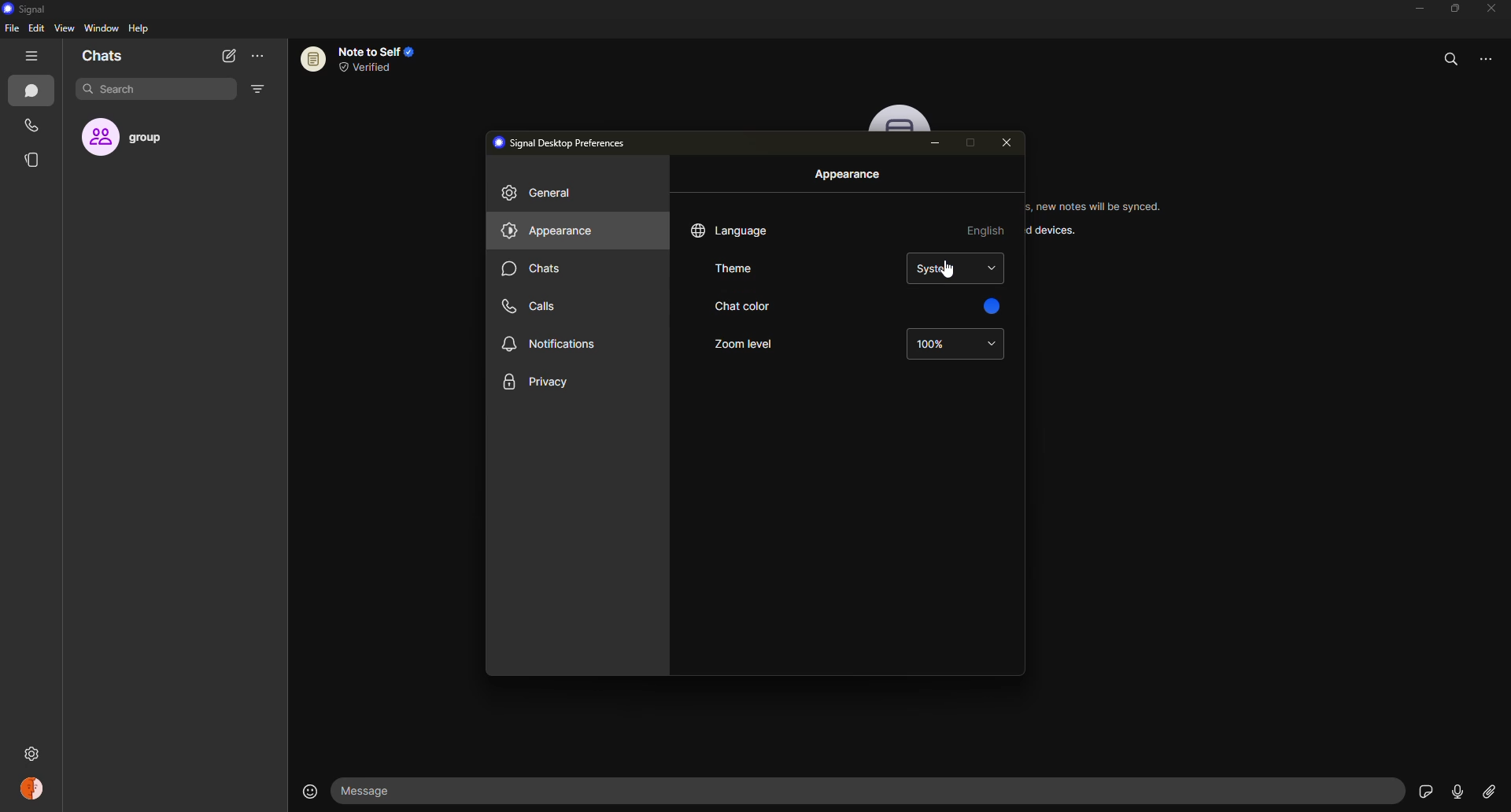 The image size is (1511, 812). Describe the element at coordinates (34, 127) in the screenshot. I see `calls` at that location.